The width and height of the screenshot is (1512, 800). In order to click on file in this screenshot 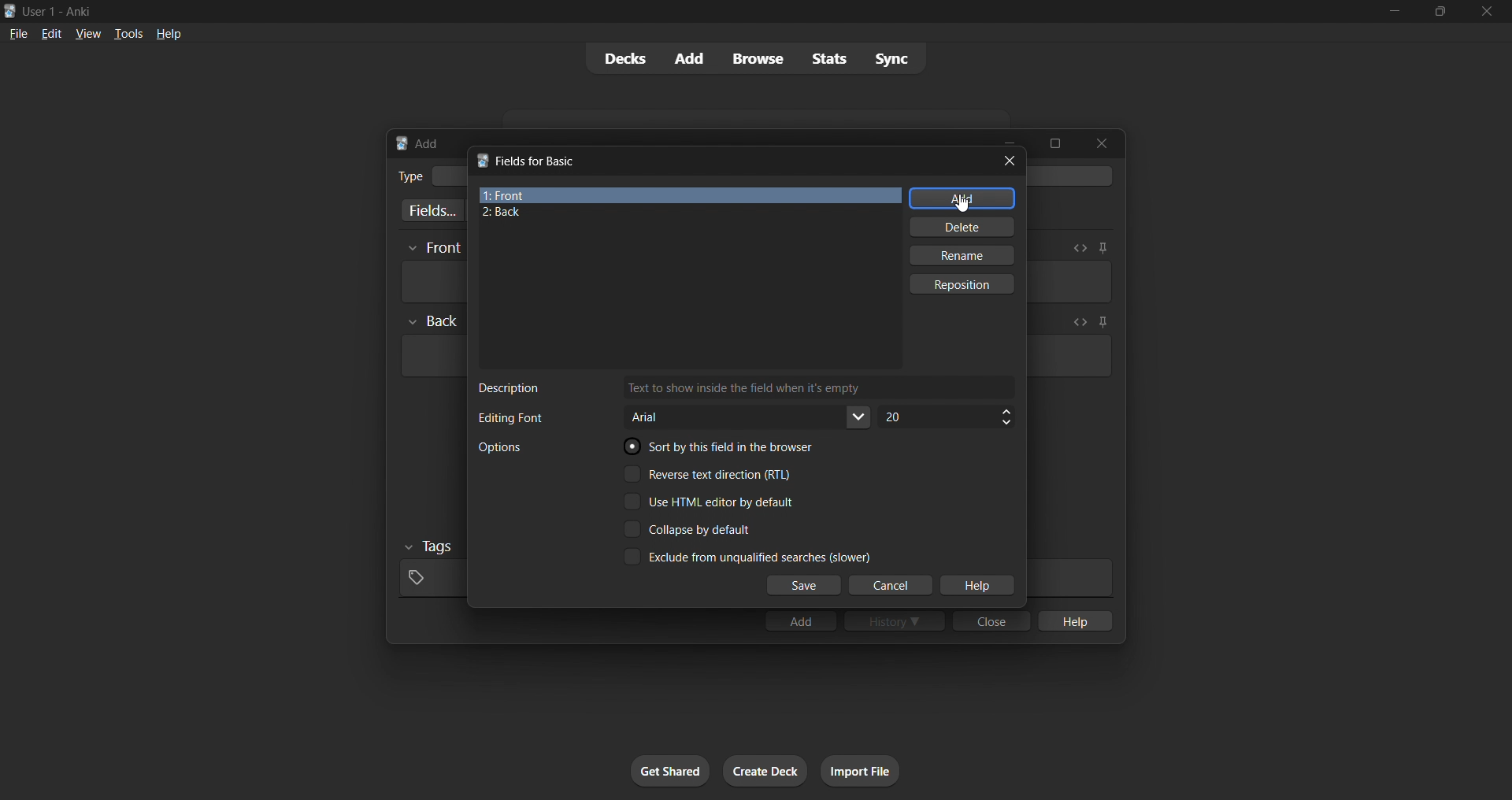, I will do `click(18, 32)`.